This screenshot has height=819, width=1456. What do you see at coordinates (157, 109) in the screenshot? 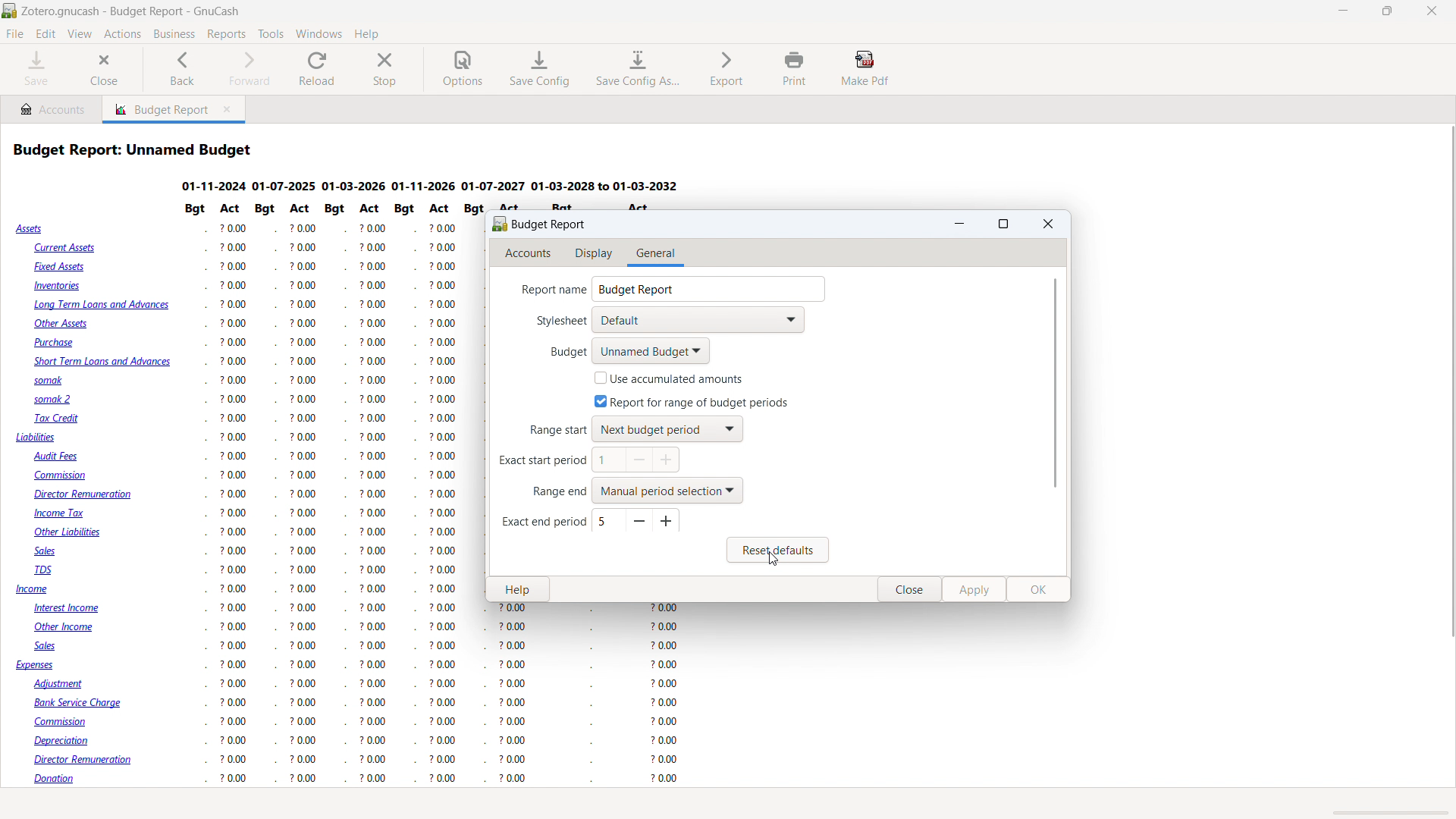
I see `budget report tab` at bounding box center [157, 109].